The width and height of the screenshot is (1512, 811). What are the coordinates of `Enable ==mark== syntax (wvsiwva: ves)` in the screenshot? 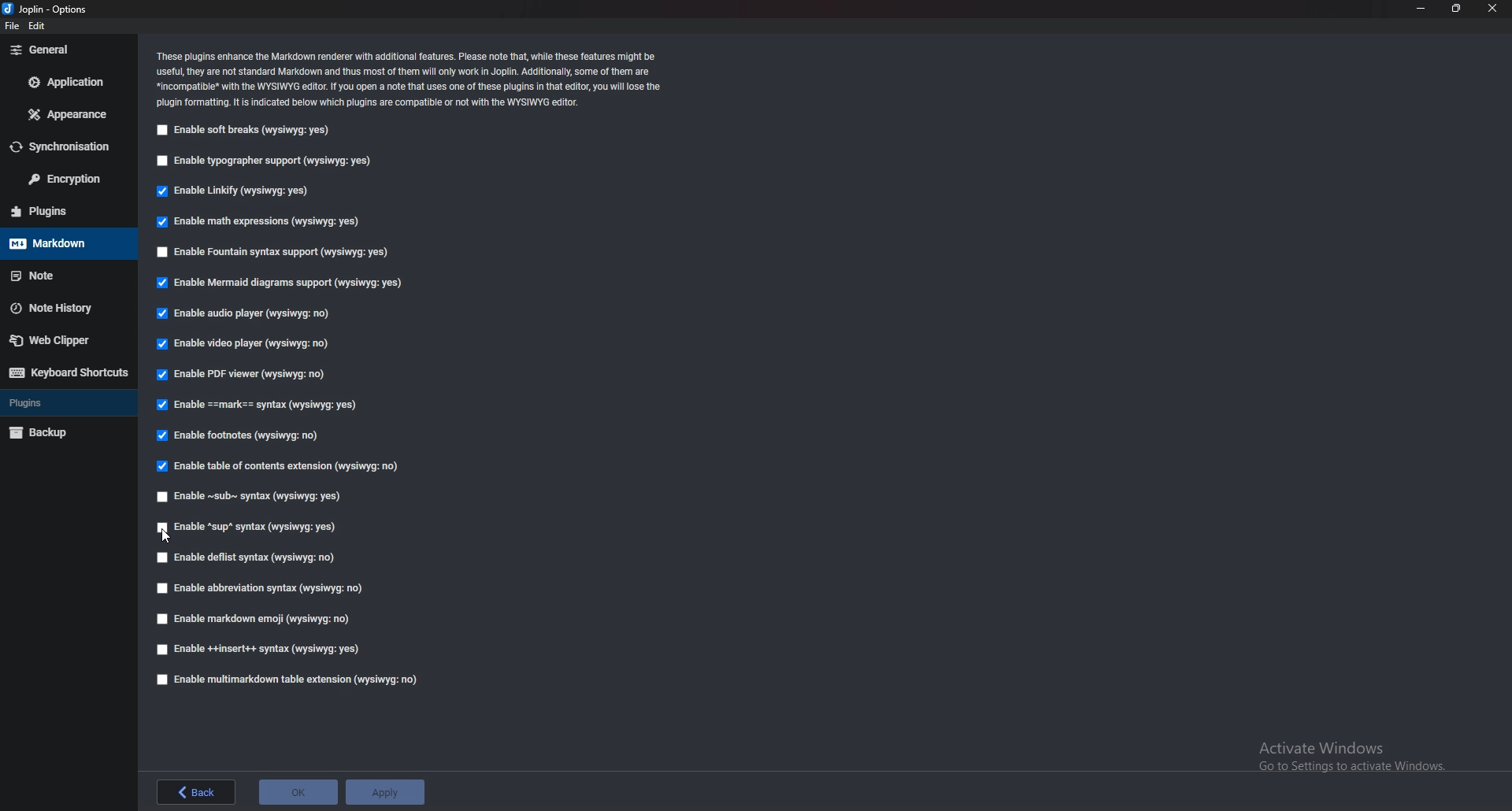 It's located at (261, 403).